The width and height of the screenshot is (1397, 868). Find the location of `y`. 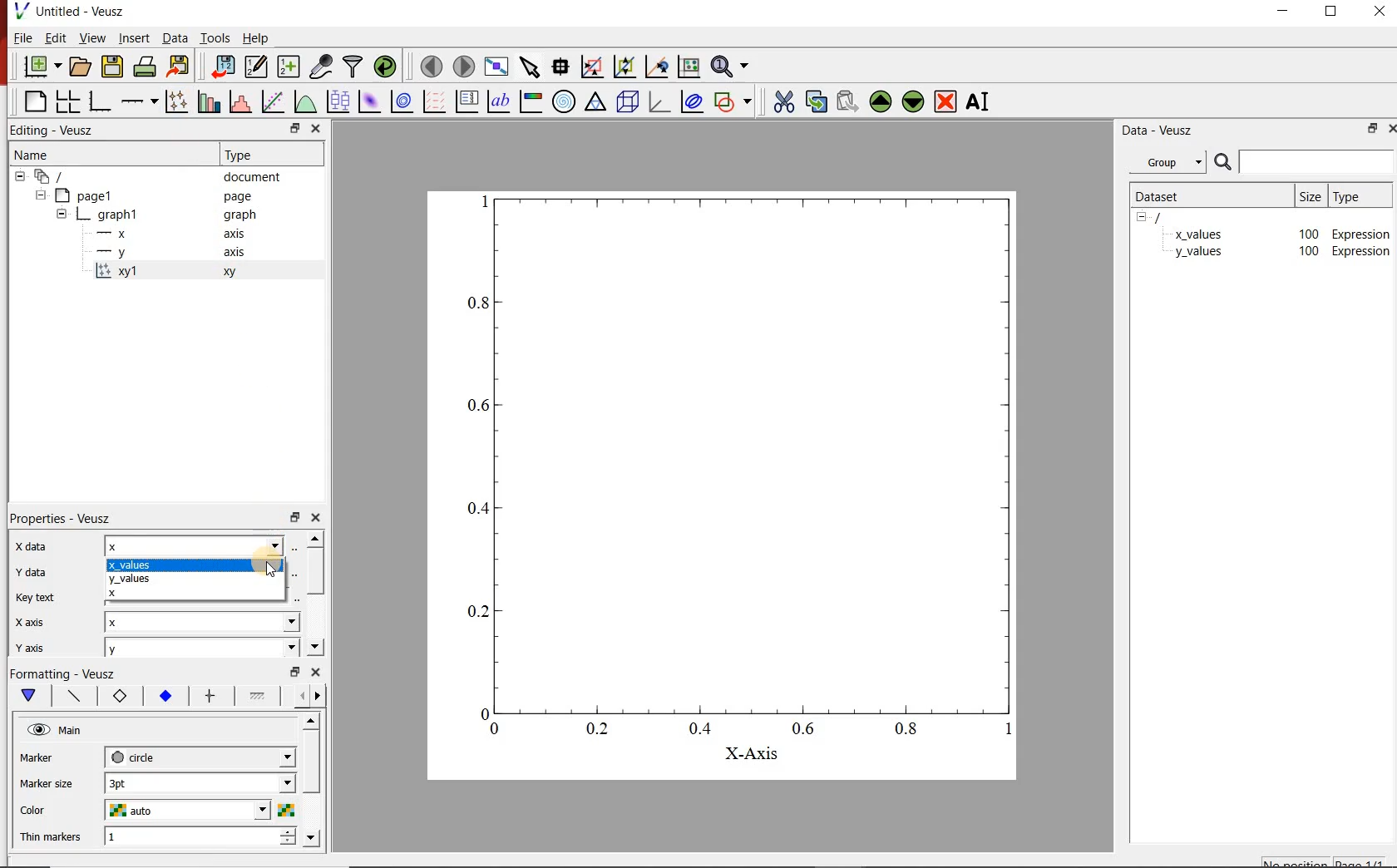

y is located at coordinates (202, 648).